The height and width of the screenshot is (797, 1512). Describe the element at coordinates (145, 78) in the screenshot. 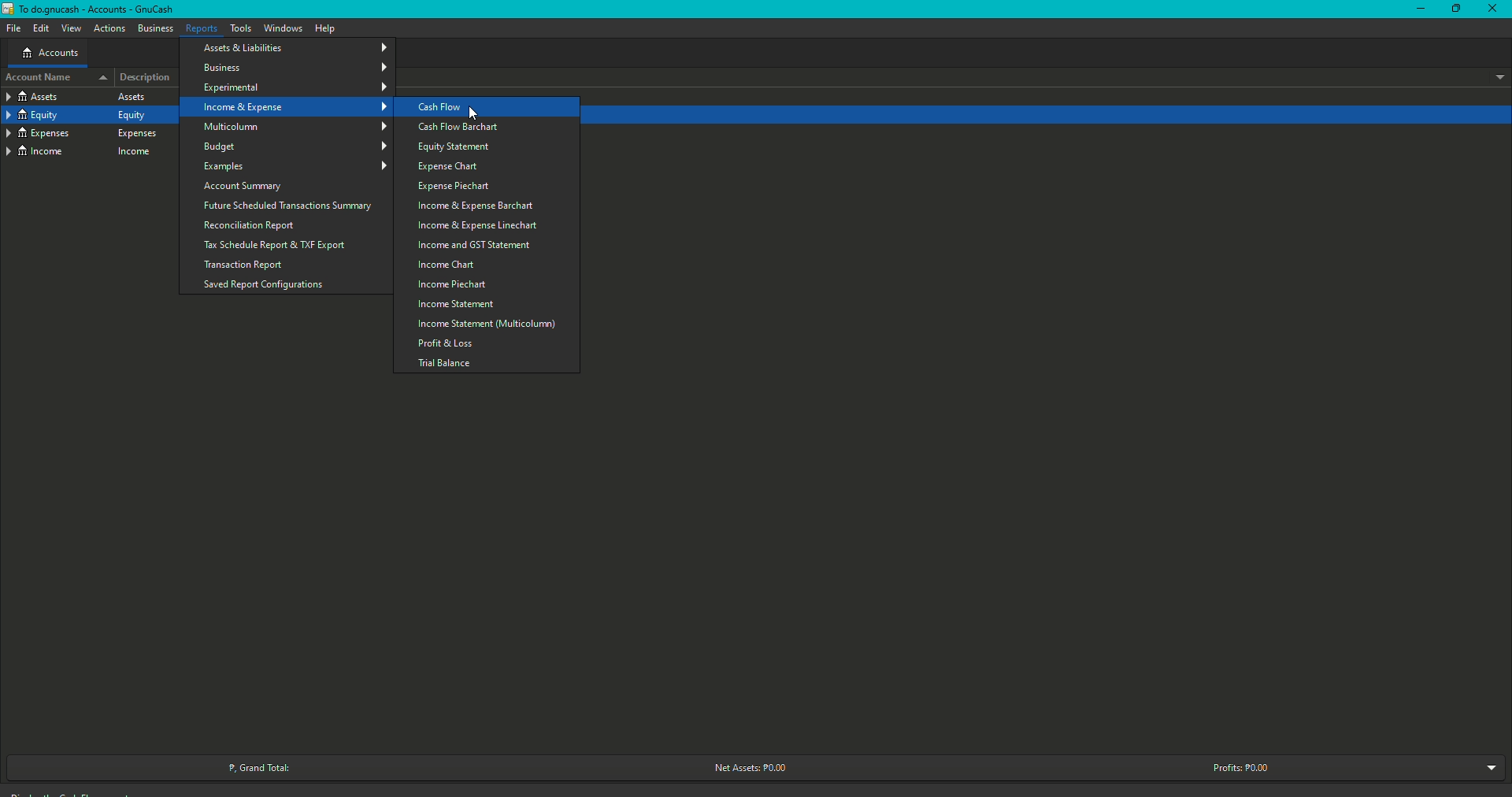

I see `Description` at that location.